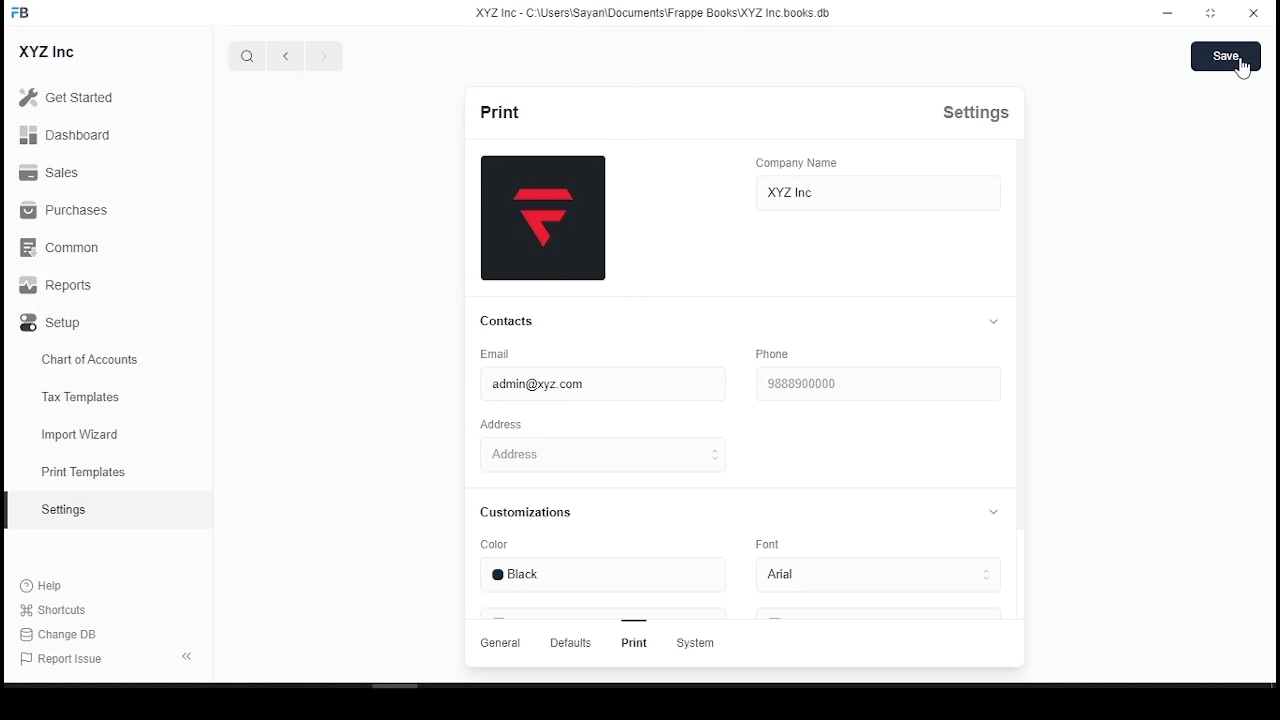 Image resolution: width=1280 pixels, height=720 pixels. I want to click on Maximize, so click(1213, 14).